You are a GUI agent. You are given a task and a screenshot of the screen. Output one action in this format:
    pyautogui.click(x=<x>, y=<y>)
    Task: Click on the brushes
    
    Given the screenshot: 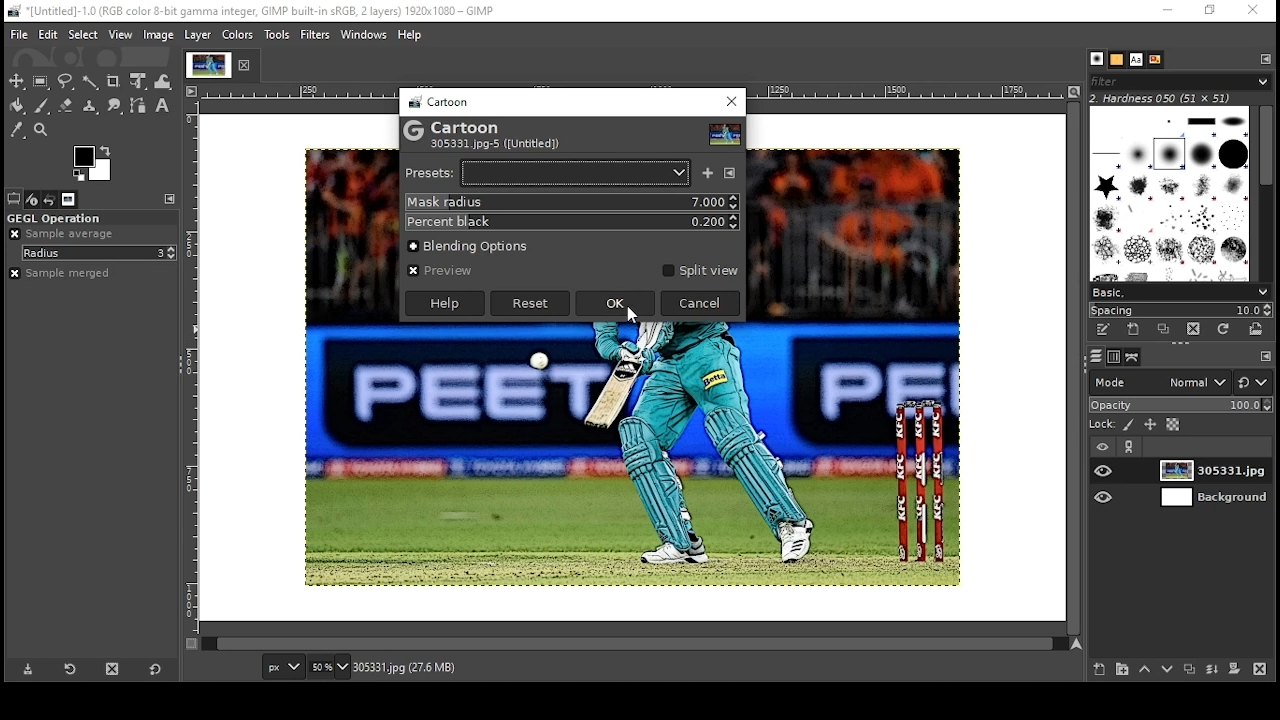 What is the action you would take?
    pyautogui.click(x=1179, y=81)
    